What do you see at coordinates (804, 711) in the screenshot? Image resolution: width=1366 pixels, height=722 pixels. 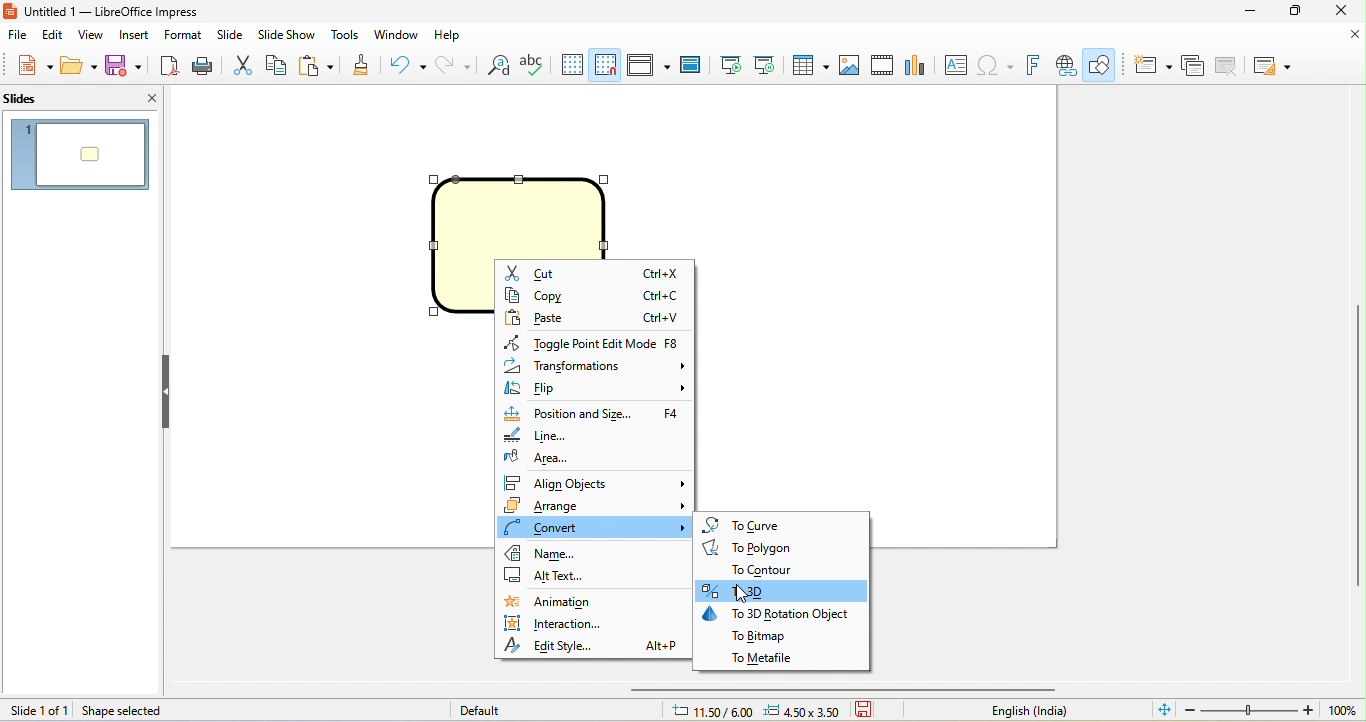 I see `4.50x3.50` at bounding box center [804, 711].